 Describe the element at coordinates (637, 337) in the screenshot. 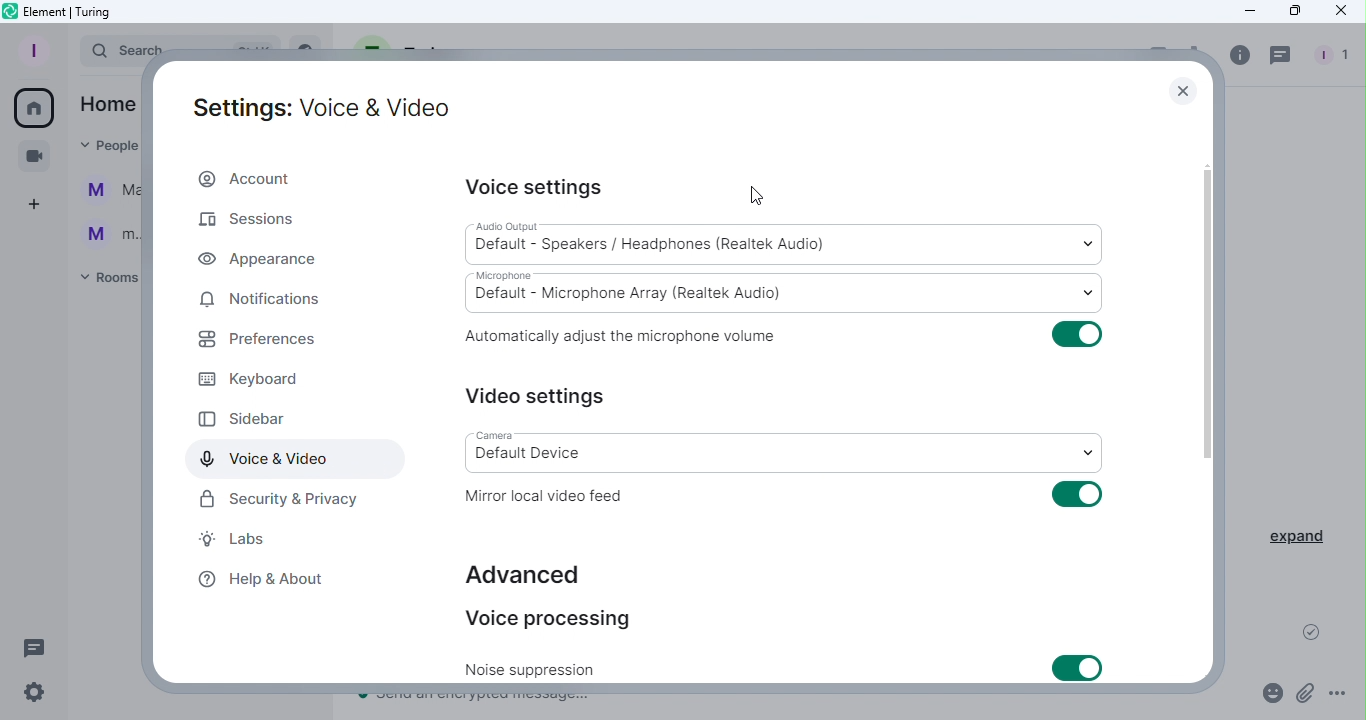

I see `Automatically adjust the microphone volume` at that location.